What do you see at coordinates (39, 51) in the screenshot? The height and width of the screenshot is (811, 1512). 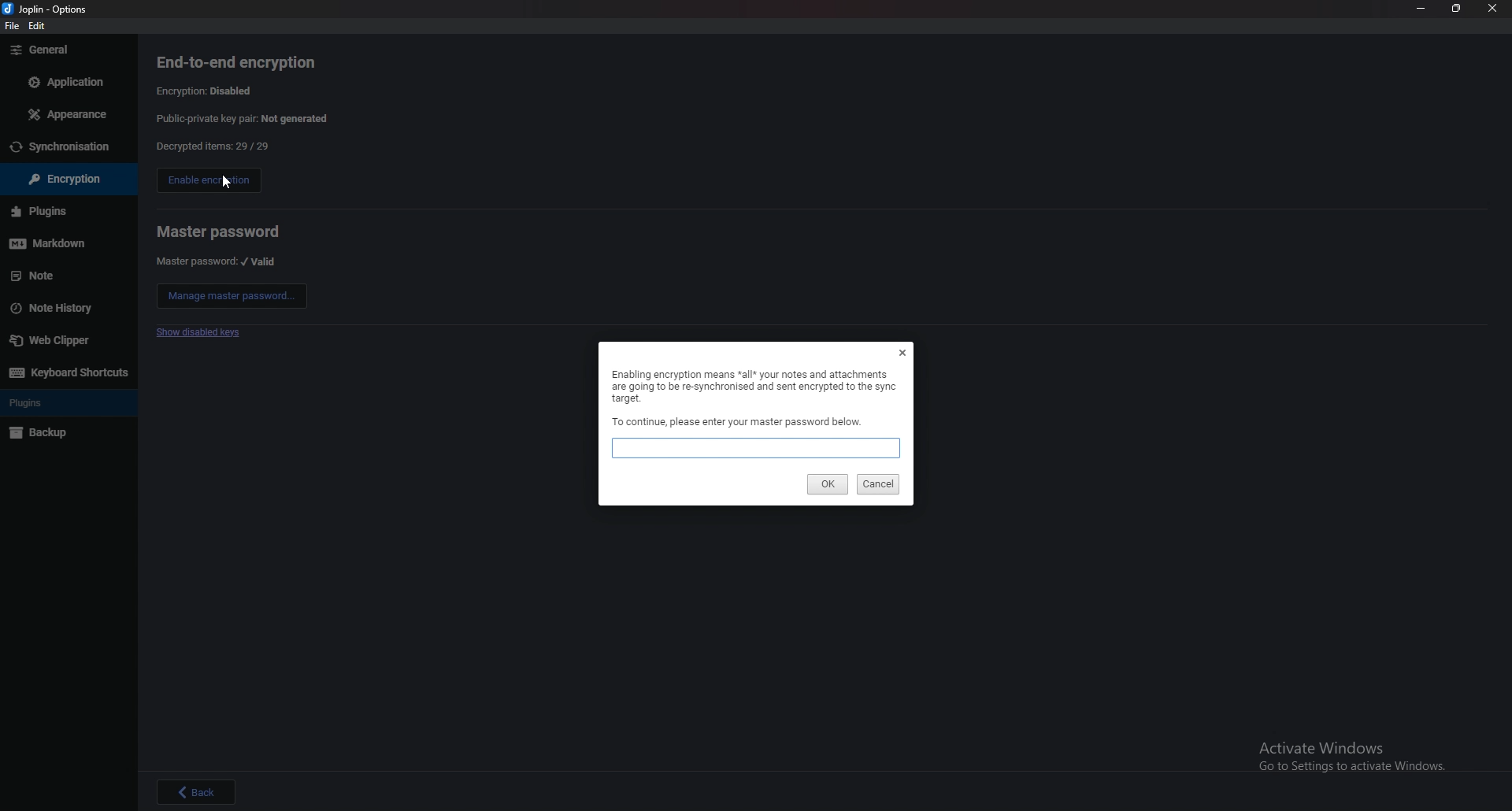 I see `` at bounding box center [39, 51].